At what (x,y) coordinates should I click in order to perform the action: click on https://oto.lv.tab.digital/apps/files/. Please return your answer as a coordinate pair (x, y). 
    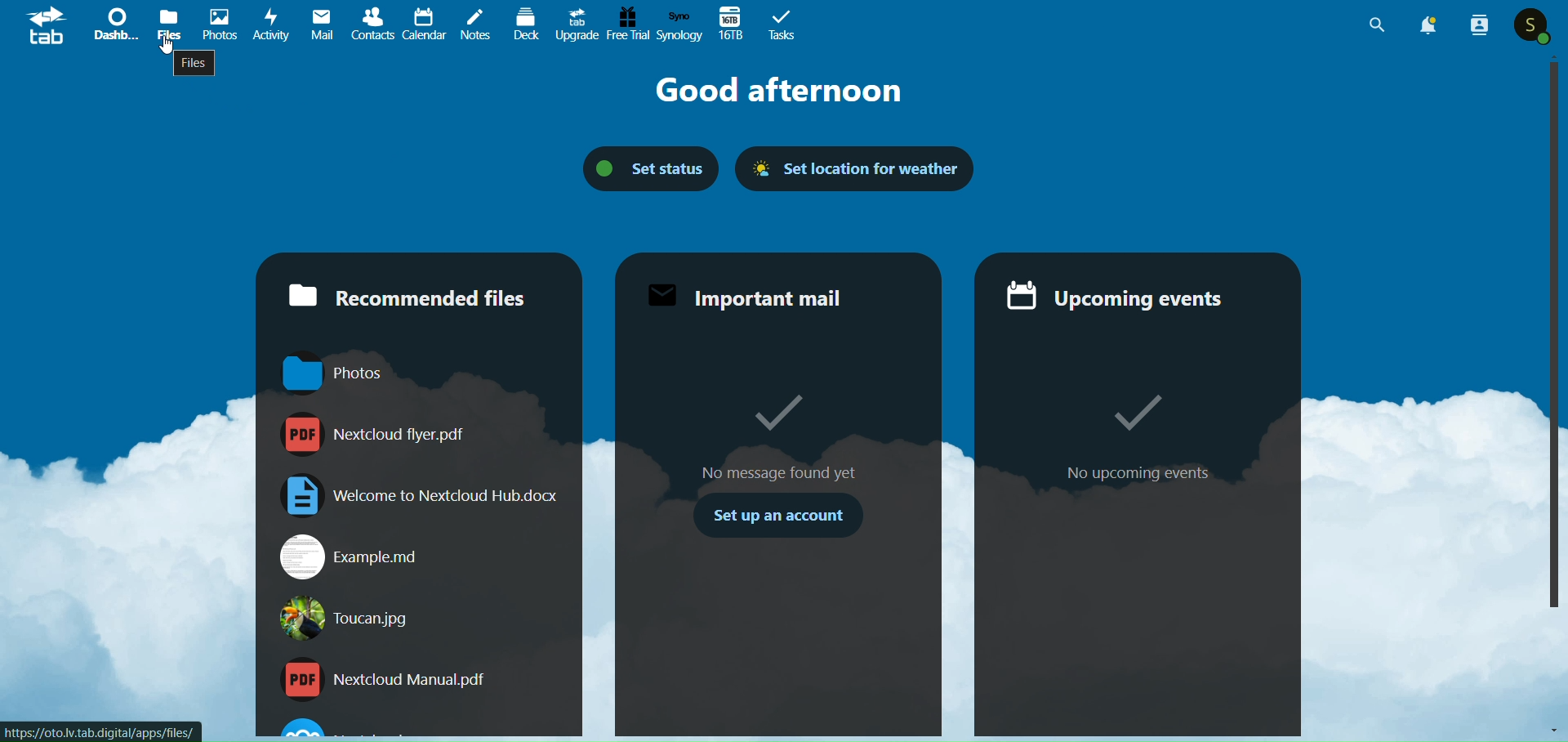
    Looking at the image, I should click on (100, 732).